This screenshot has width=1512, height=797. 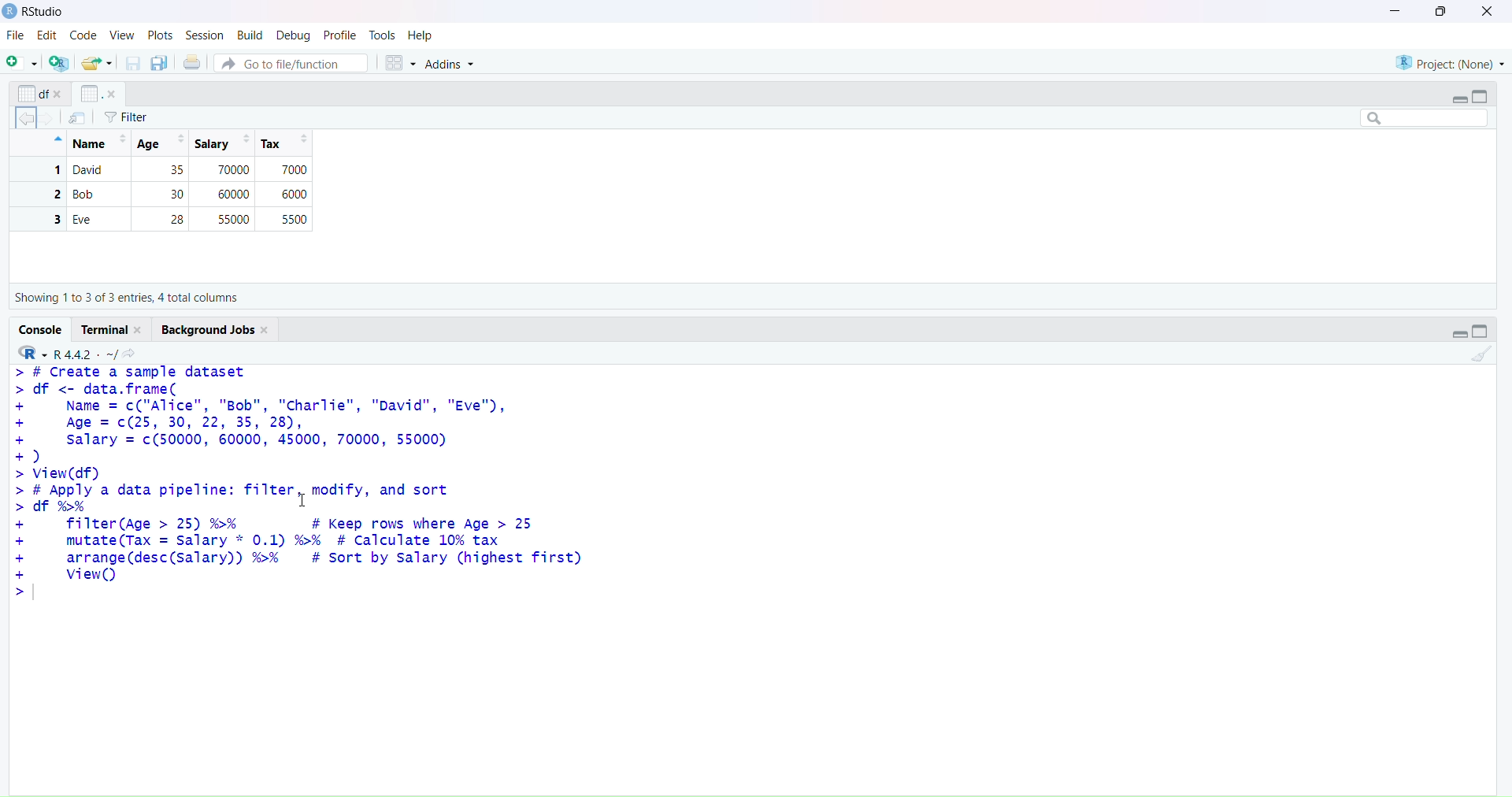 I want to click on workspace panes, so click(x=399, y=64).